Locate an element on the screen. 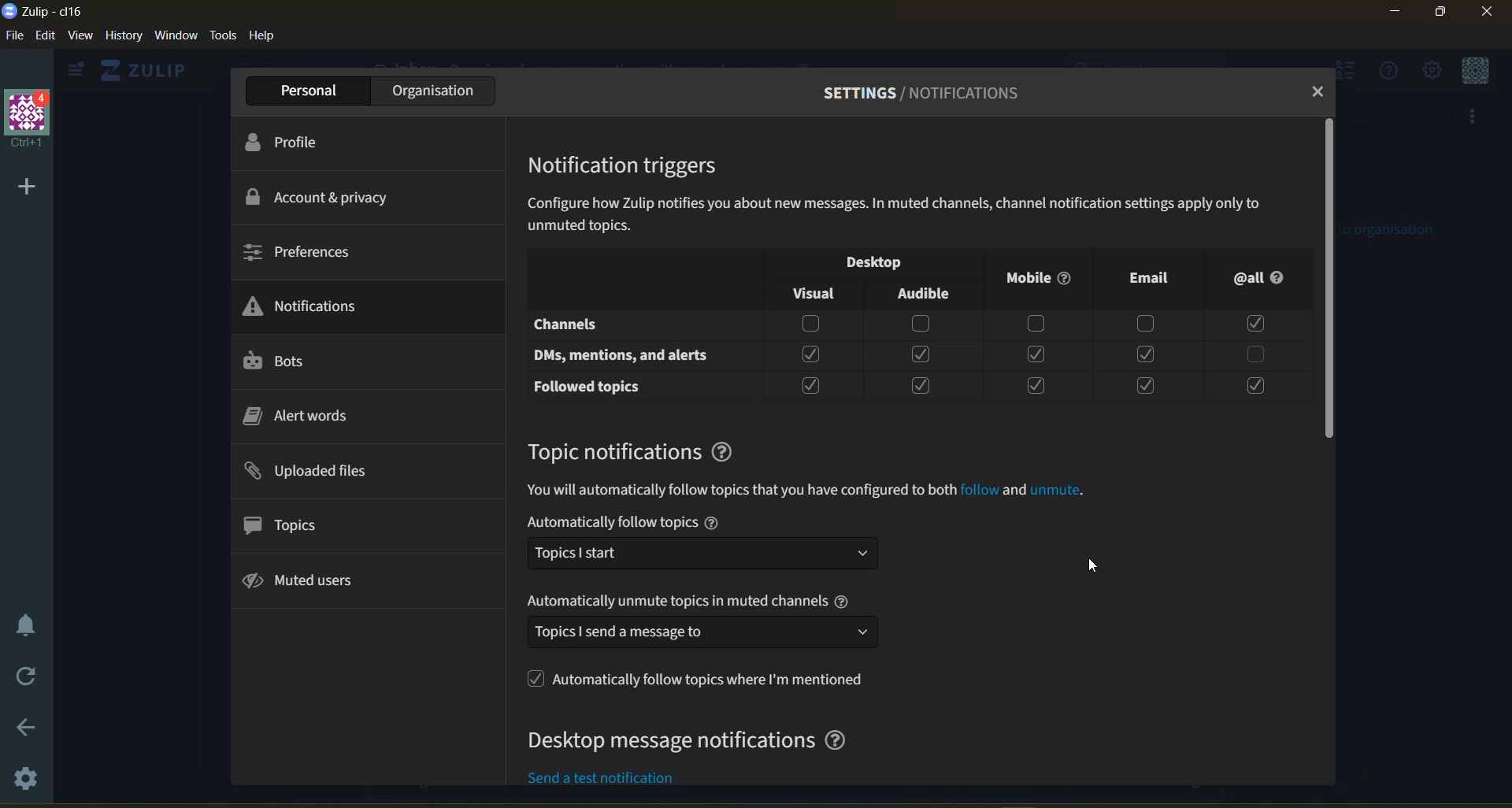 This screenshot has height=808, width=1512. Channels is located at coordinates (567, 323).